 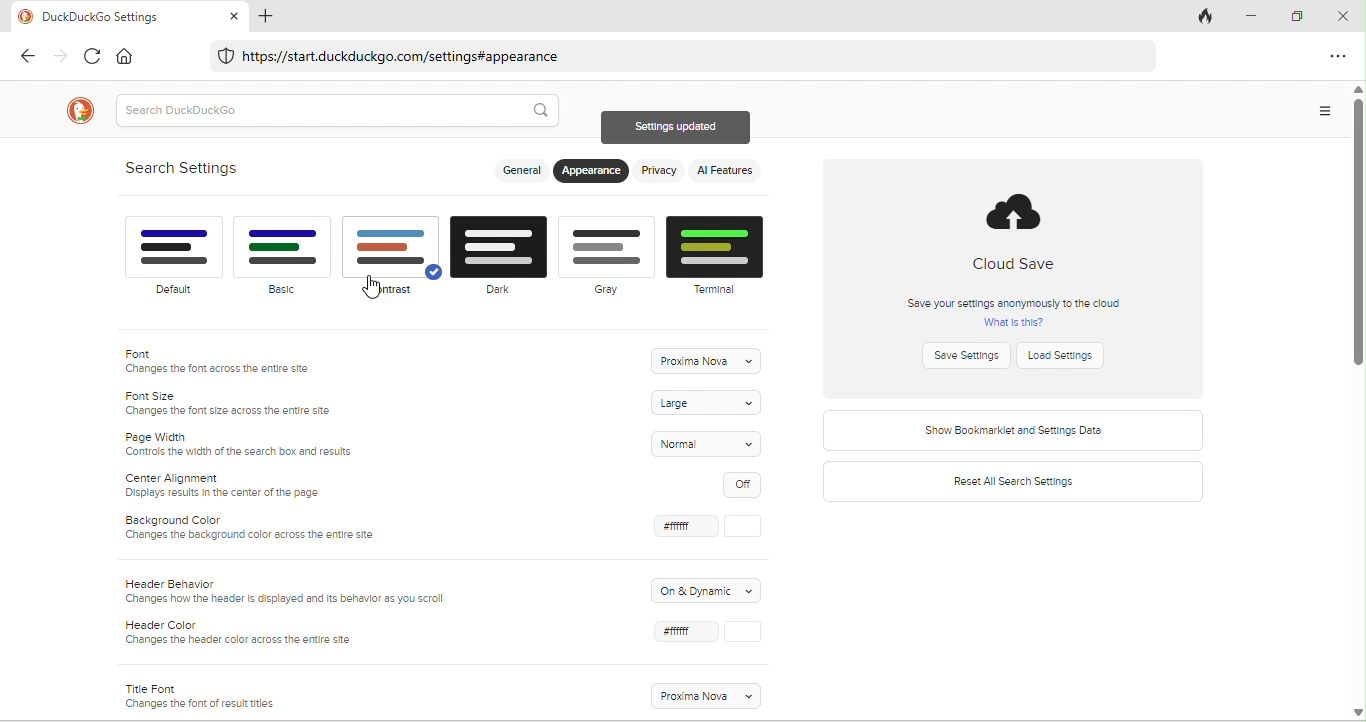 What do you see at coordinates (1321, 113) in the screenshot?
I see `more options` at bounding box center [1321, 113].